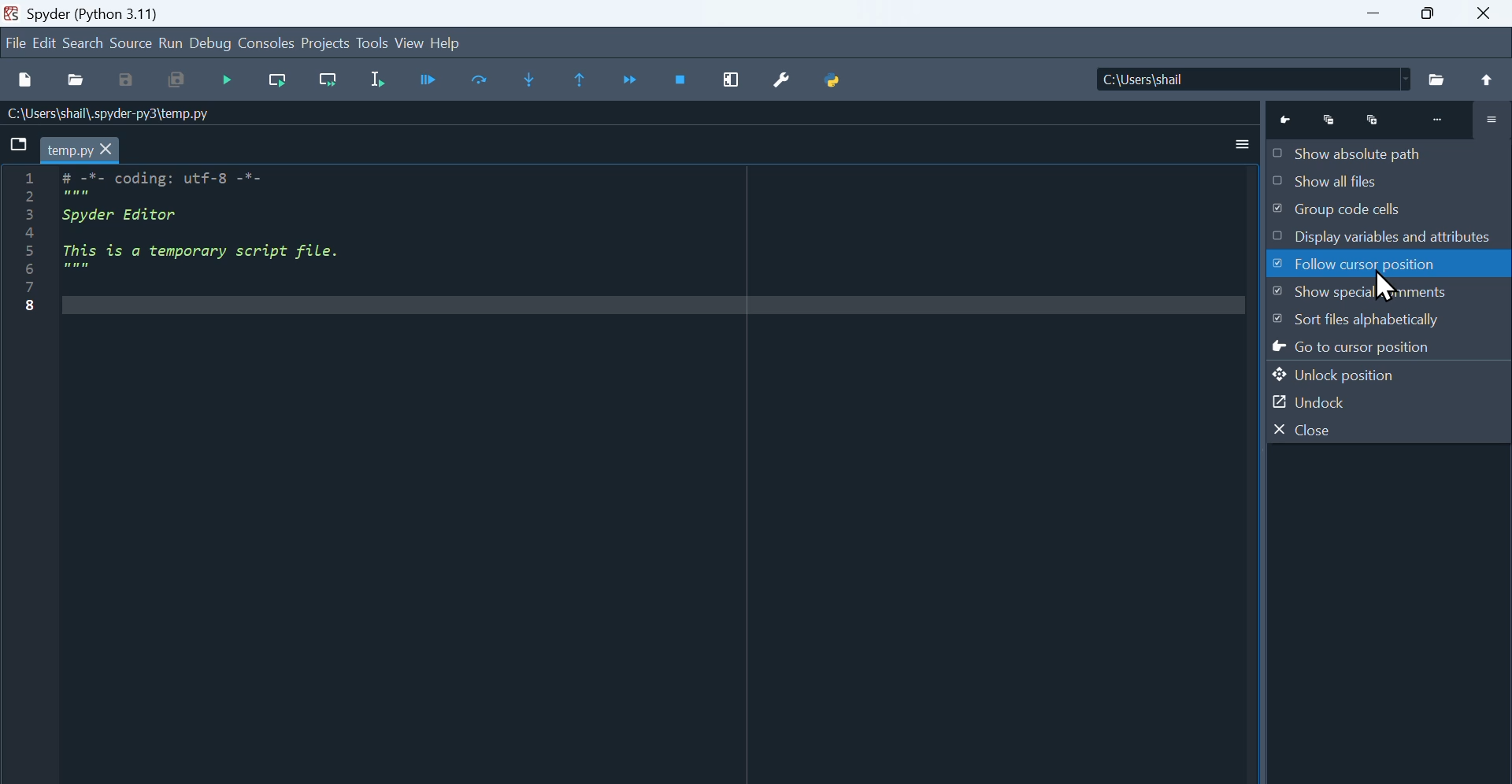  Describe the element at coordinates (1484, 17) in the screenshot. I see `close` at that location.